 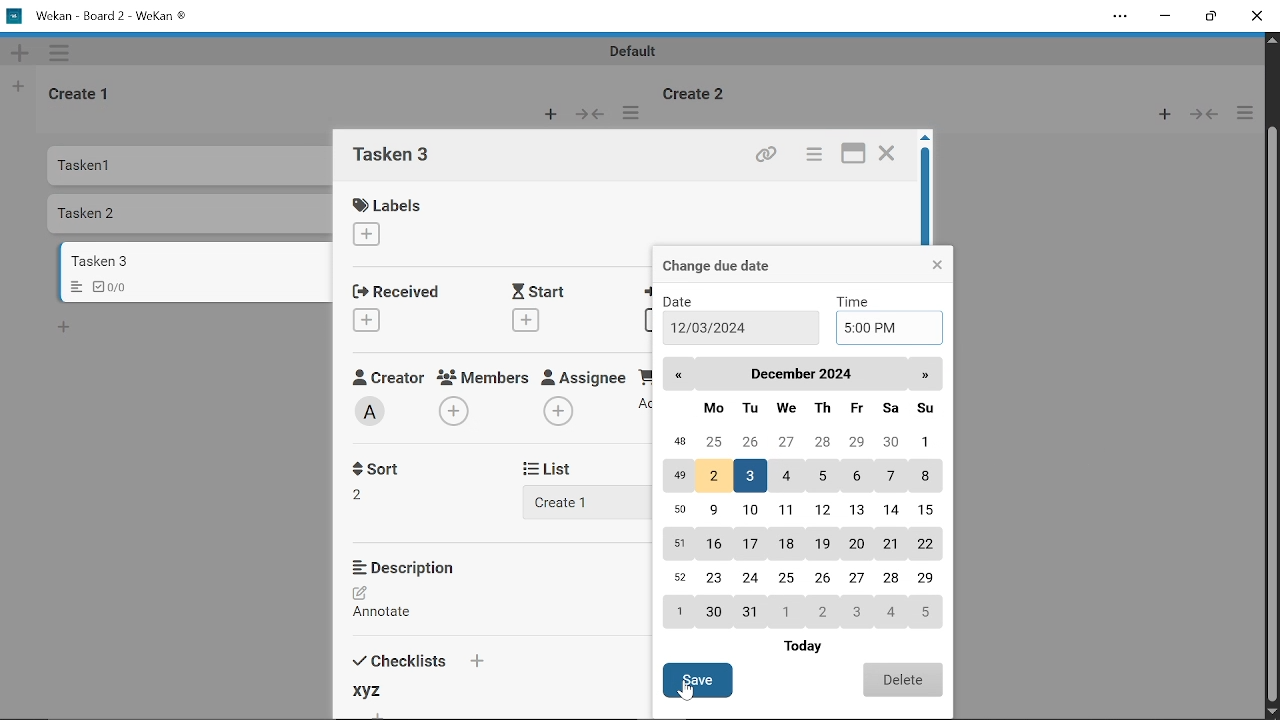 I want to click on Delete, so click(x=902, y=680).